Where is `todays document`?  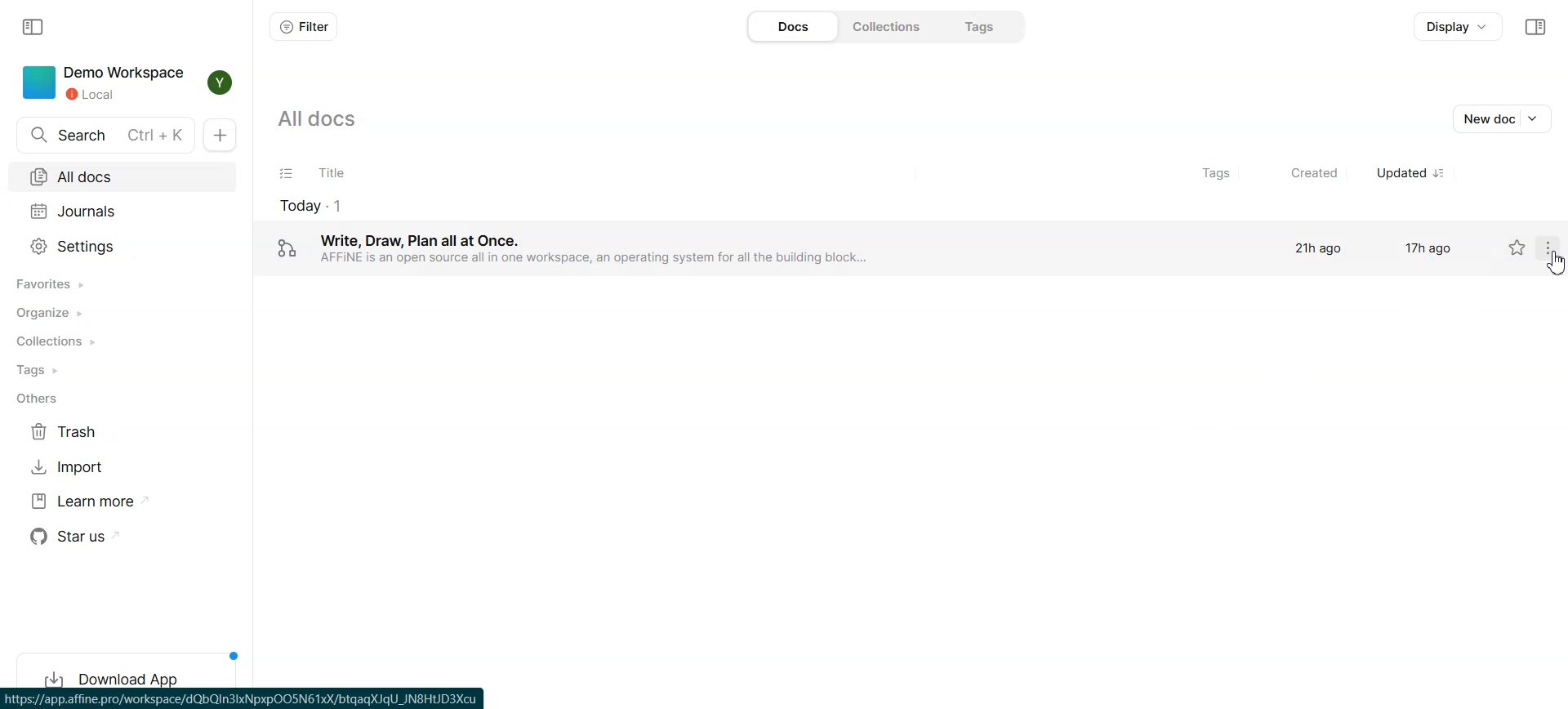 todays document is located at coordinates (317, 207).